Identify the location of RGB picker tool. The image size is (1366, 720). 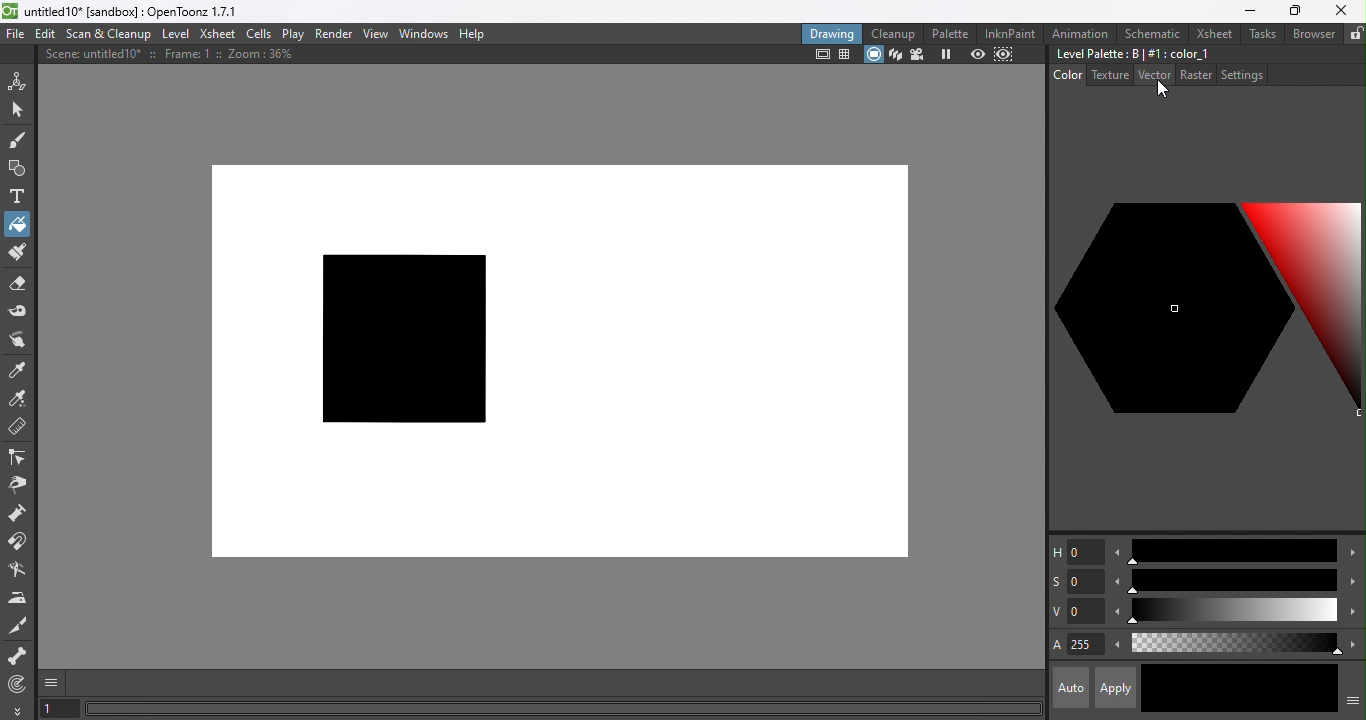
(18, 398).